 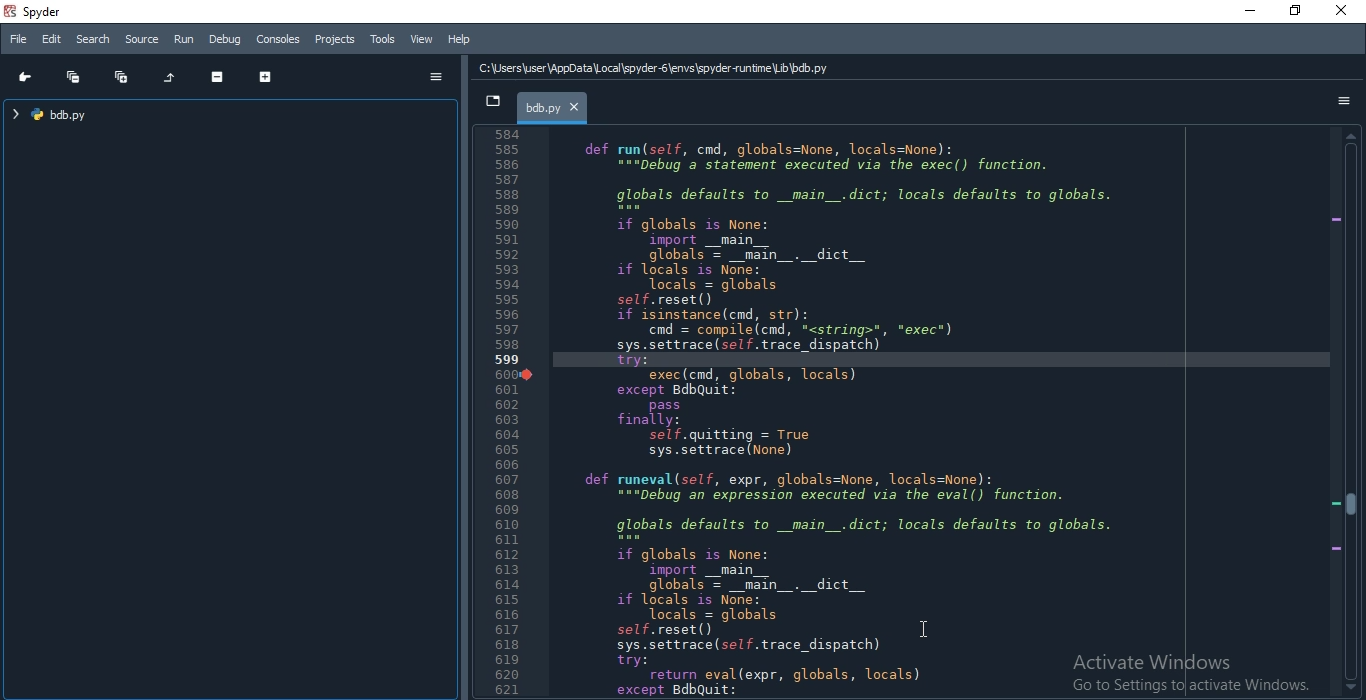 What do you see at coordinates (1295, 12) in the screenshot?
I see `restore` at bounding box center [1295, 12].